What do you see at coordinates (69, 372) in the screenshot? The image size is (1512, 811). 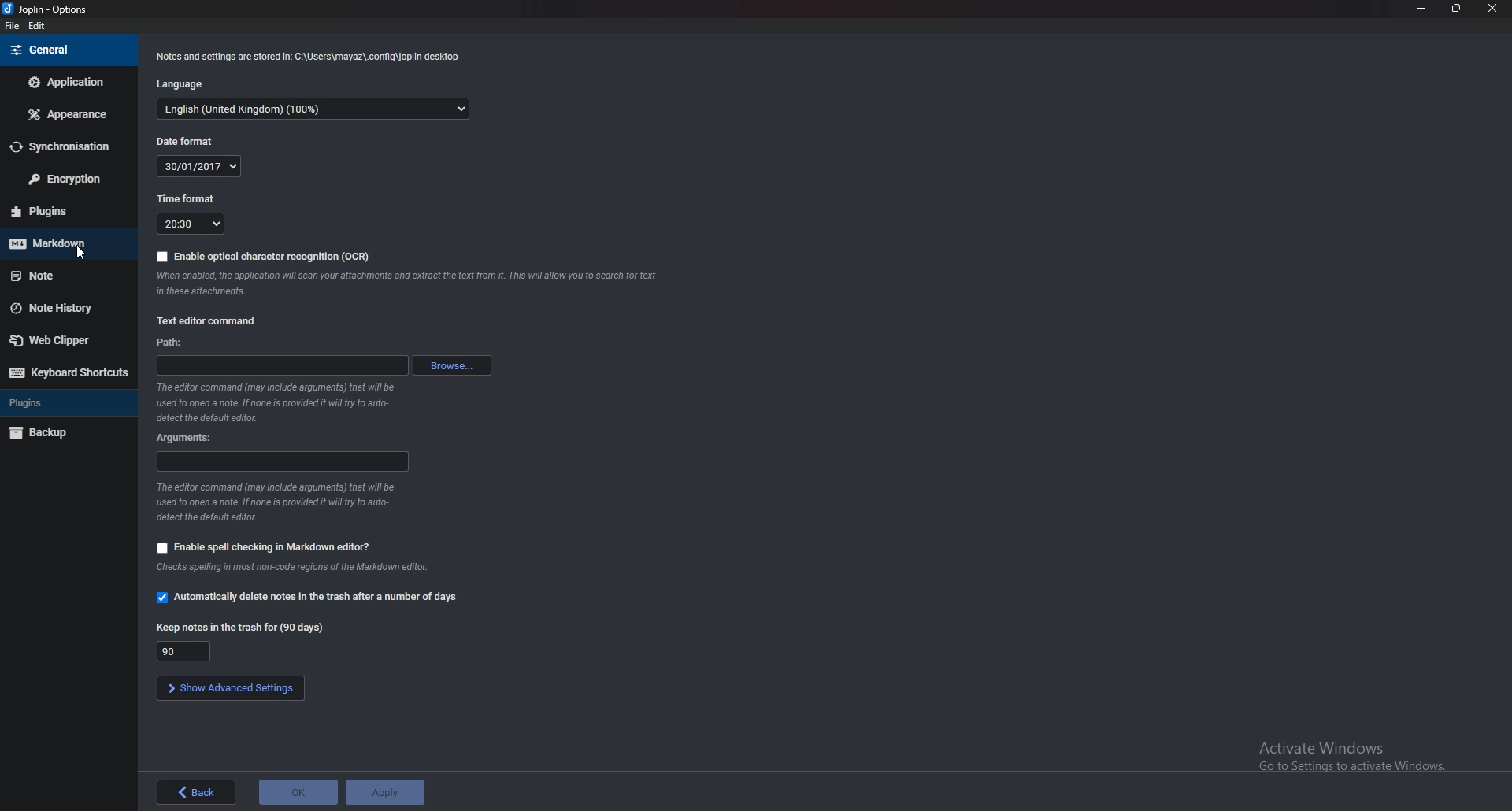 I see `Keyboard shortcuts` at bounding box center [69, 372].